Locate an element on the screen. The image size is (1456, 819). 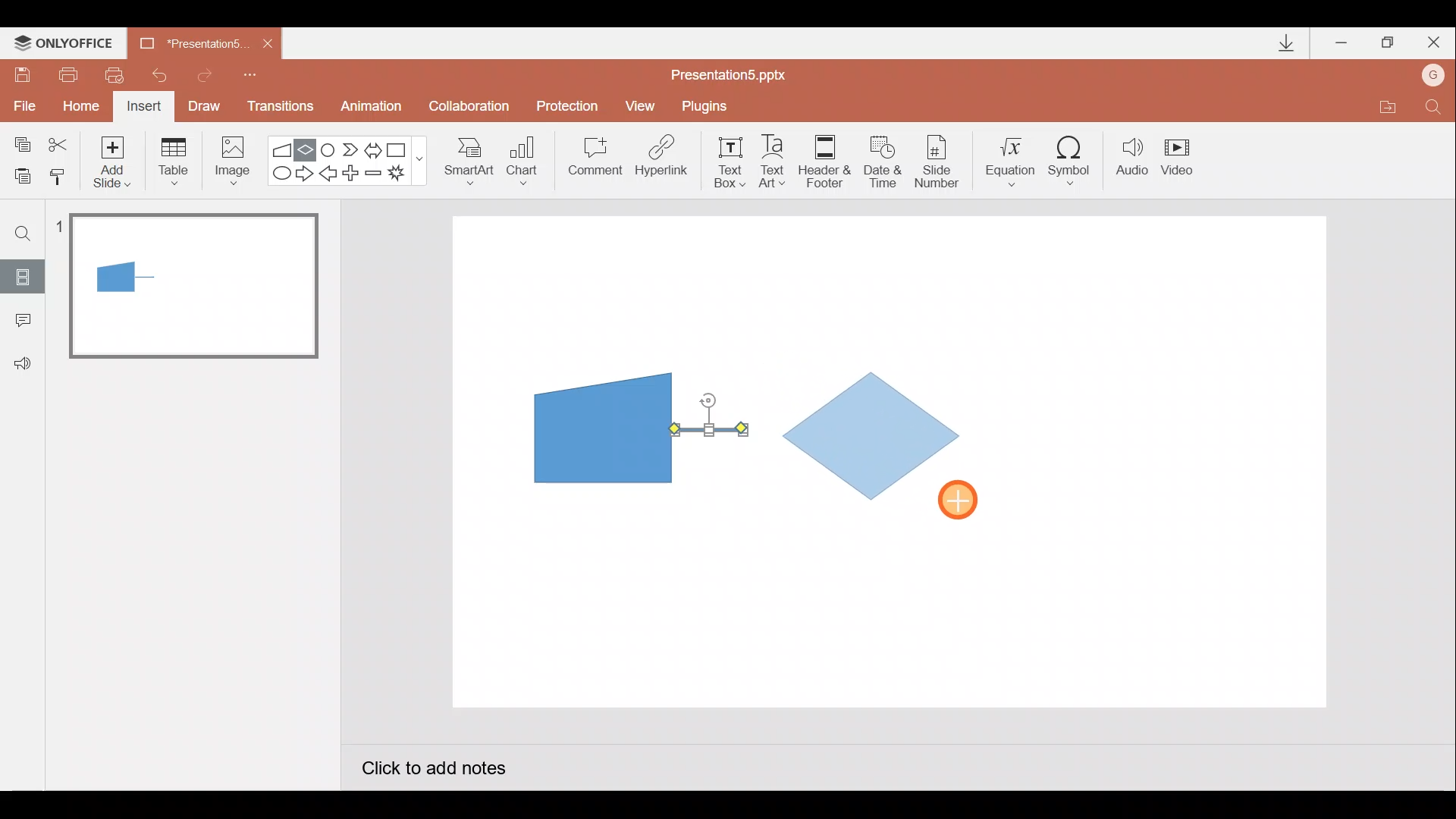
Add slide is located at coordinates (115, 158).